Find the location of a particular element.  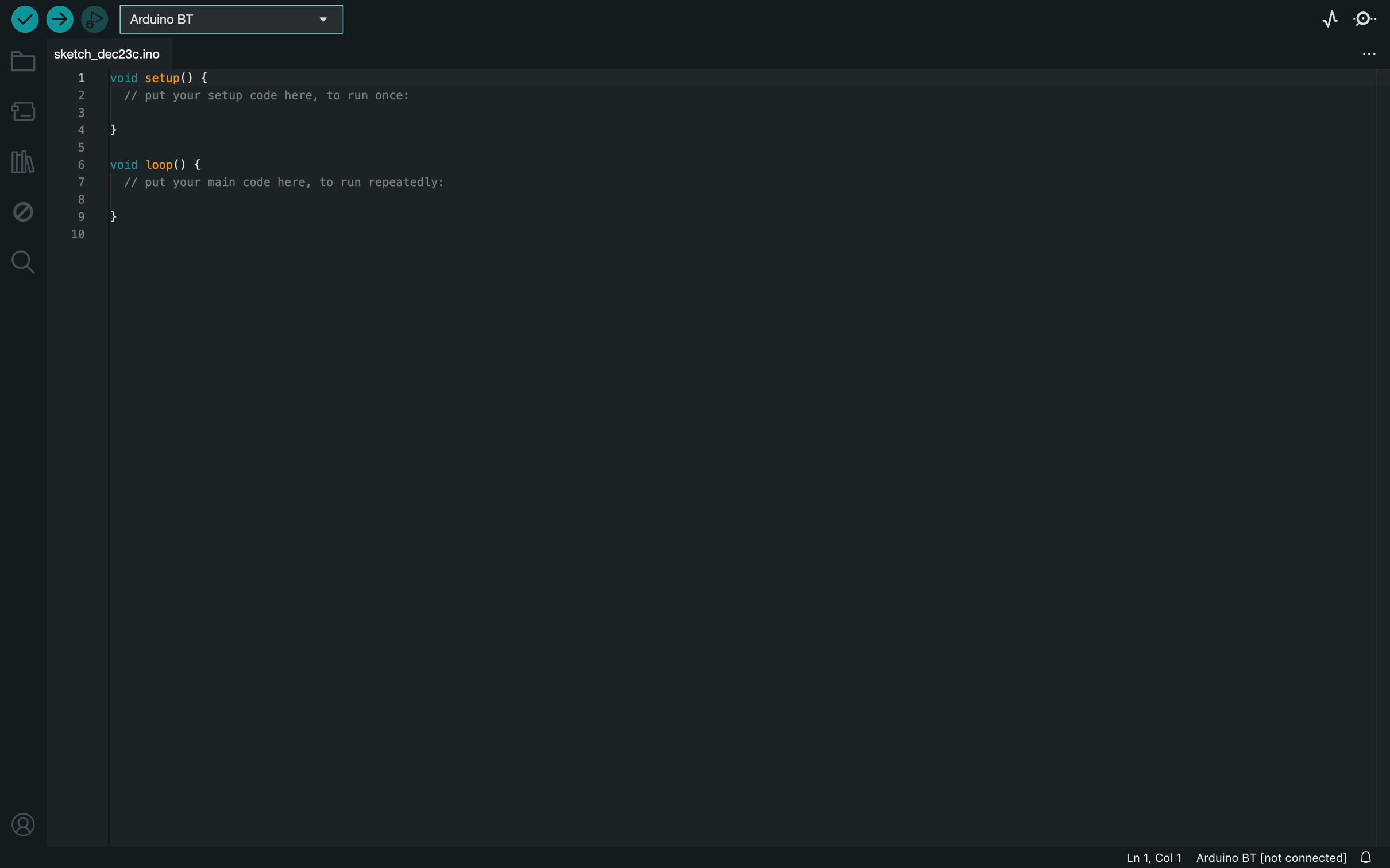

upload is located at coordinates (64, 18).